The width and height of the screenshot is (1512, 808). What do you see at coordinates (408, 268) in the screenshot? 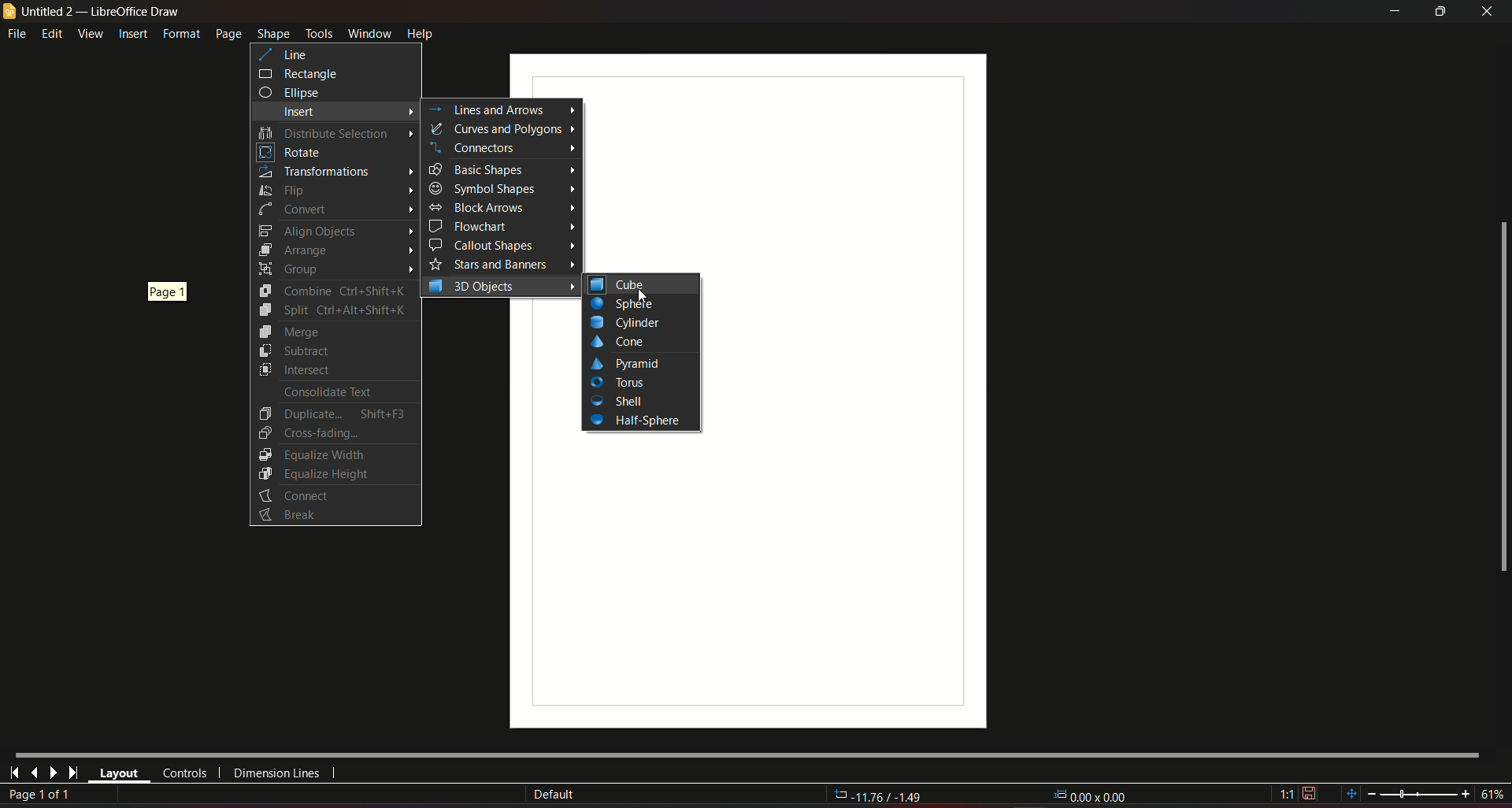
I see `Arrow` at bounding box center [408, 268].